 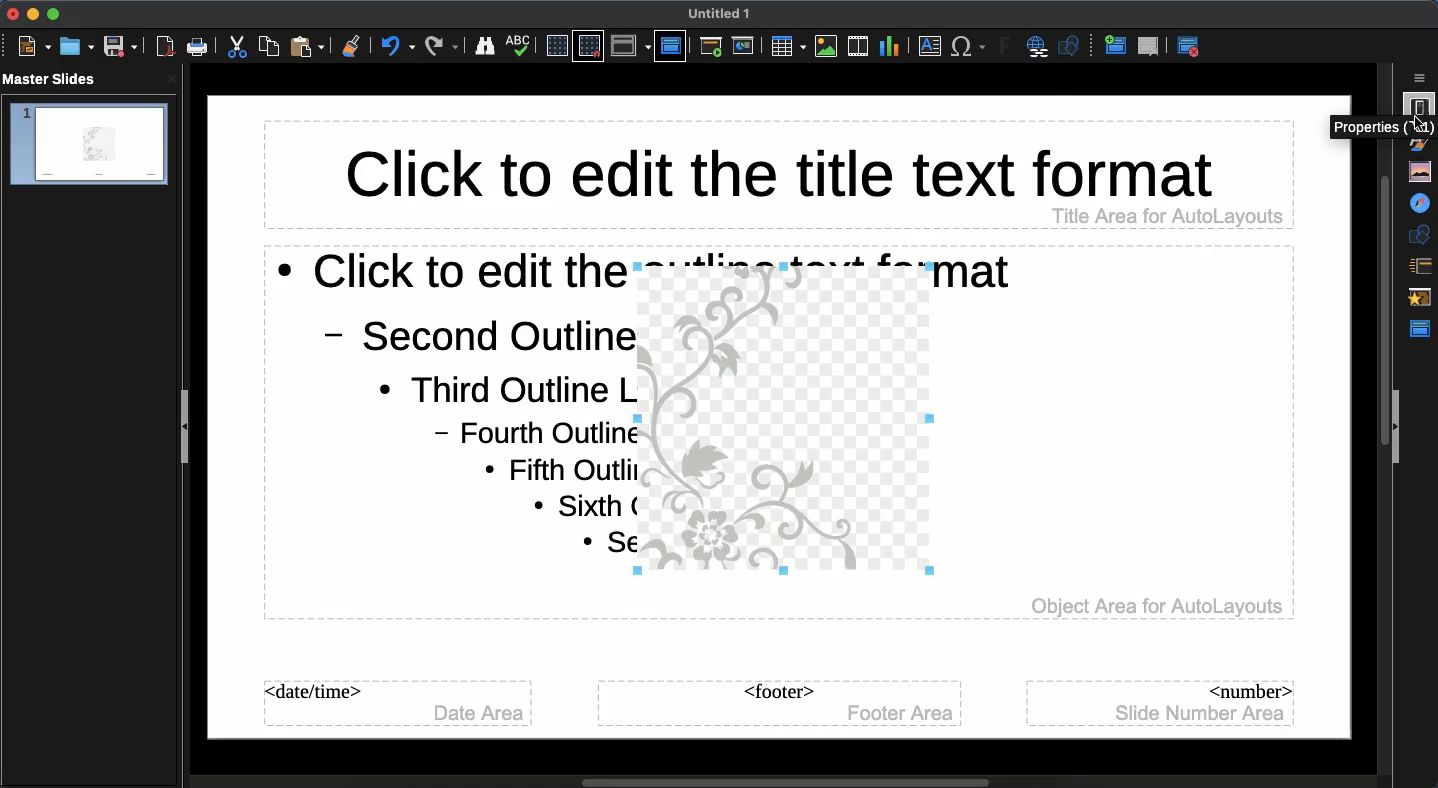 I want to click on Start from current slide, so click(x=745, y=46).